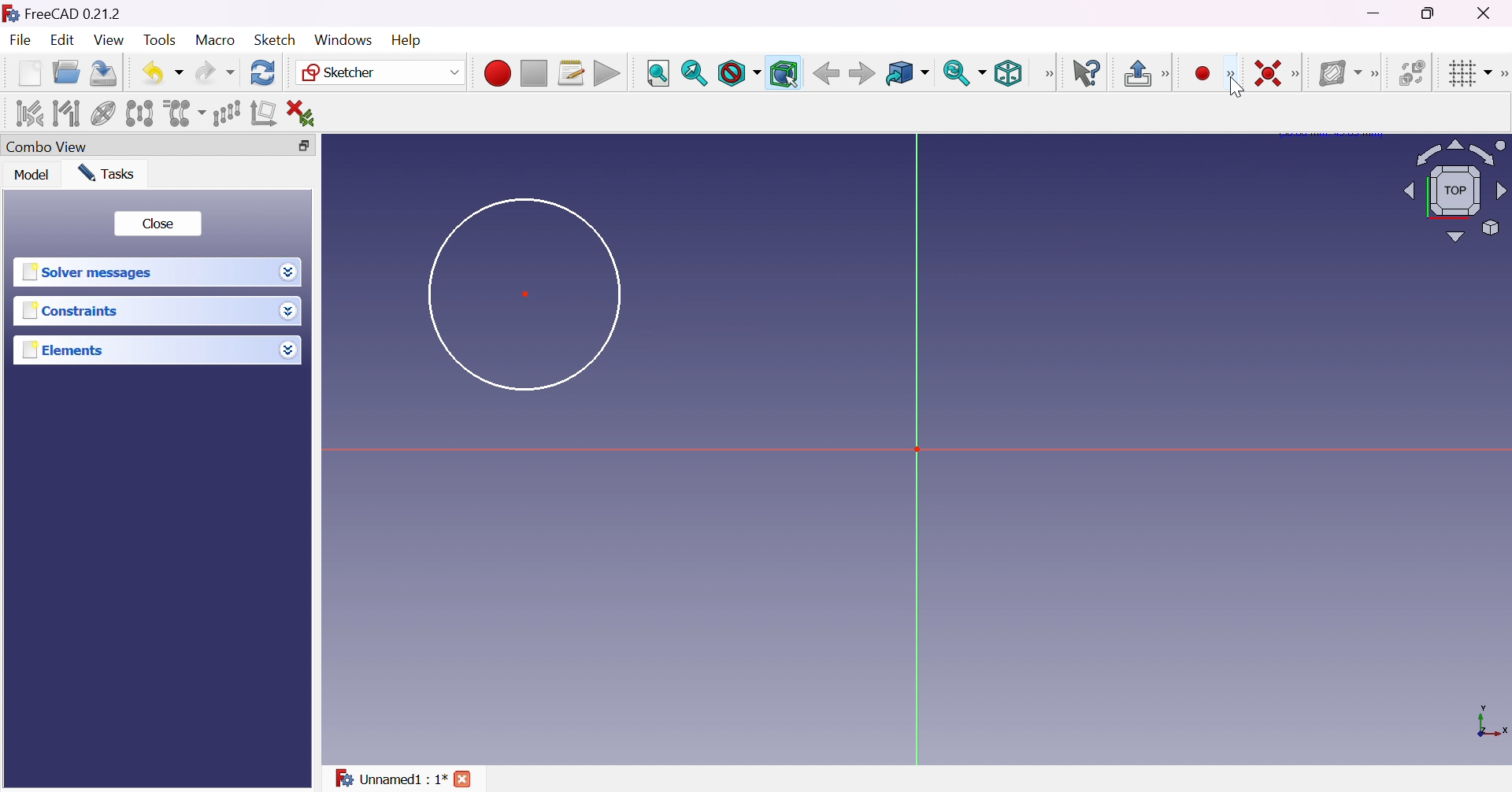 The height and width of the screenshot is (792, 1512). I want to click on Close, so click(157, 224).